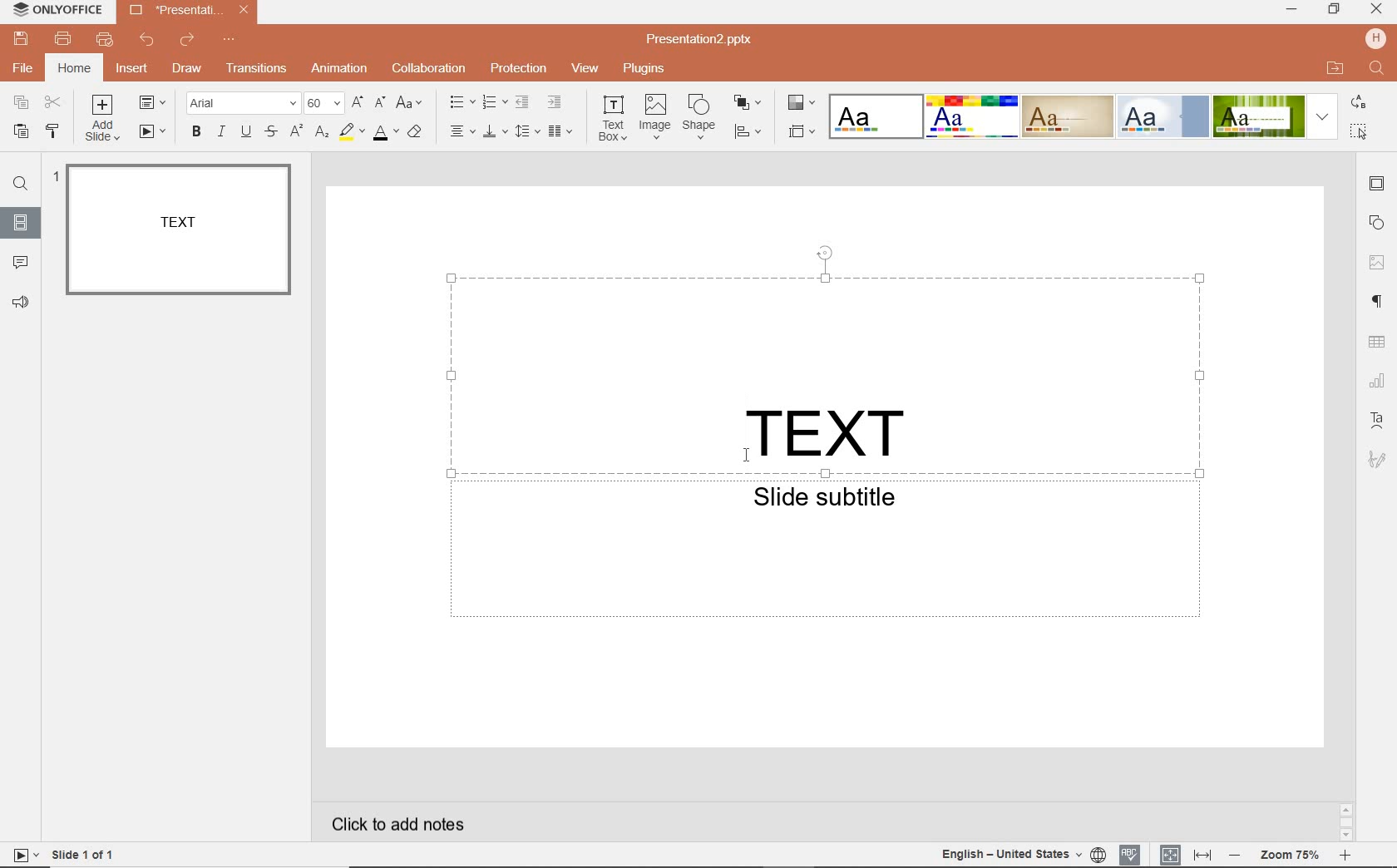 This screenshot has width=1397, height=868. I want to click on image, so click(655, 117).